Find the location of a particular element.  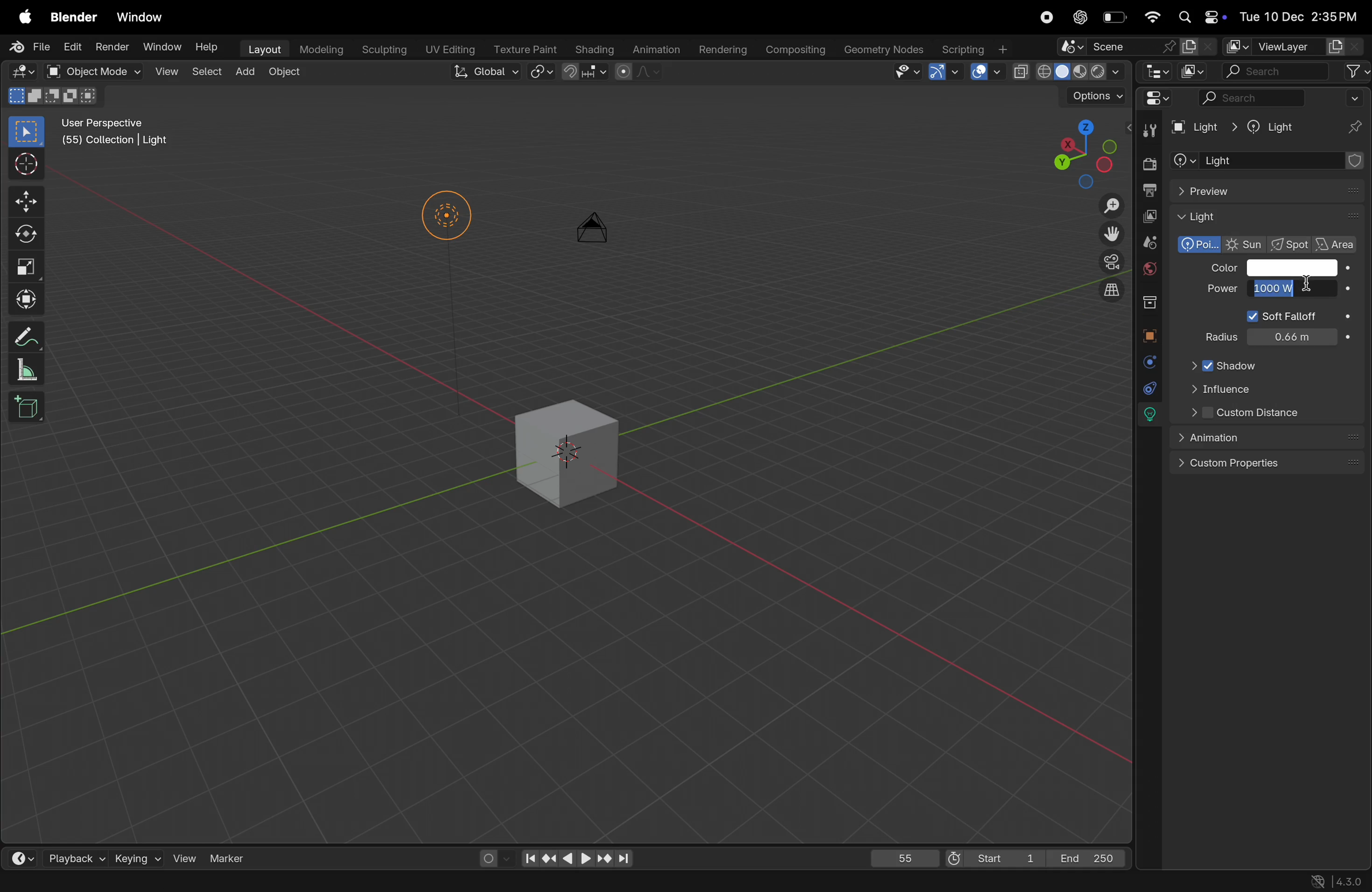

modes is located at coordinates (55, 97).